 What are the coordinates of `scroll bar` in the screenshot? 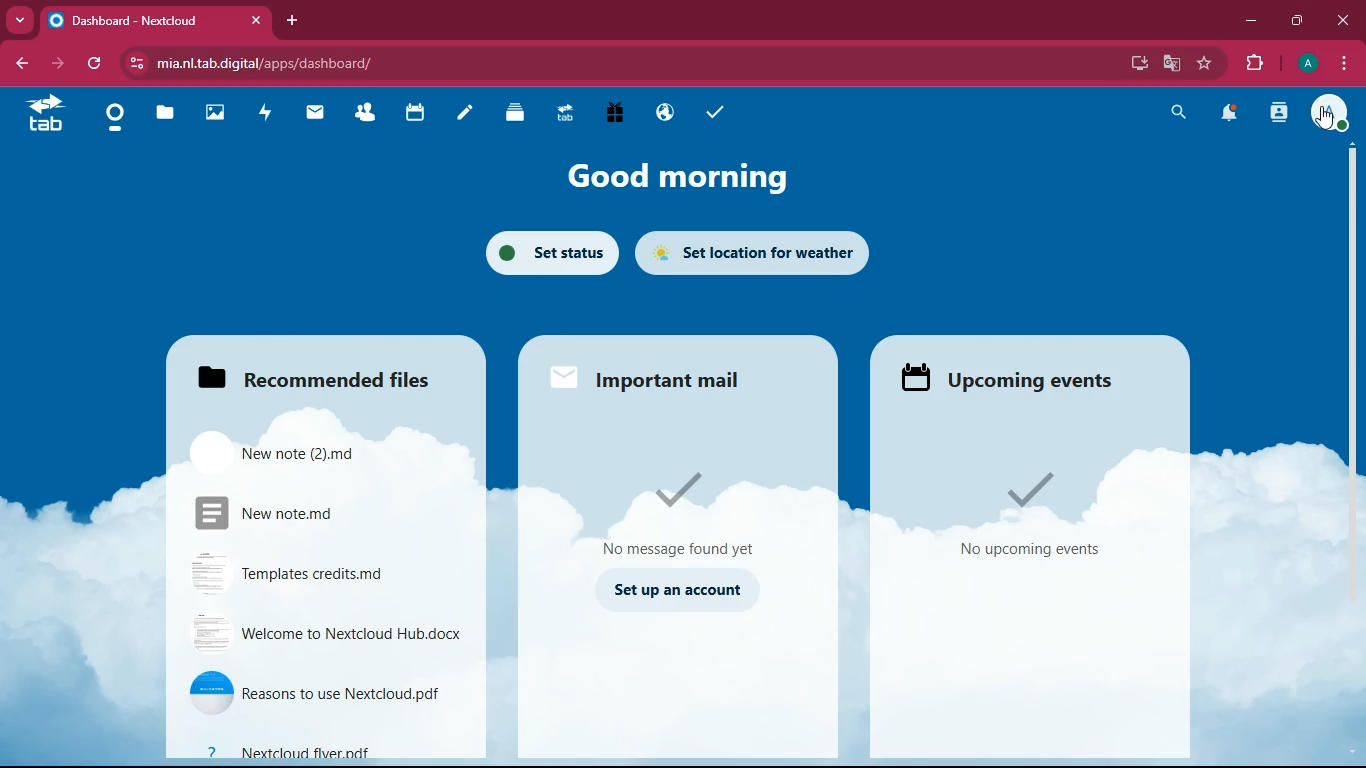 It's located at (1348, 332).